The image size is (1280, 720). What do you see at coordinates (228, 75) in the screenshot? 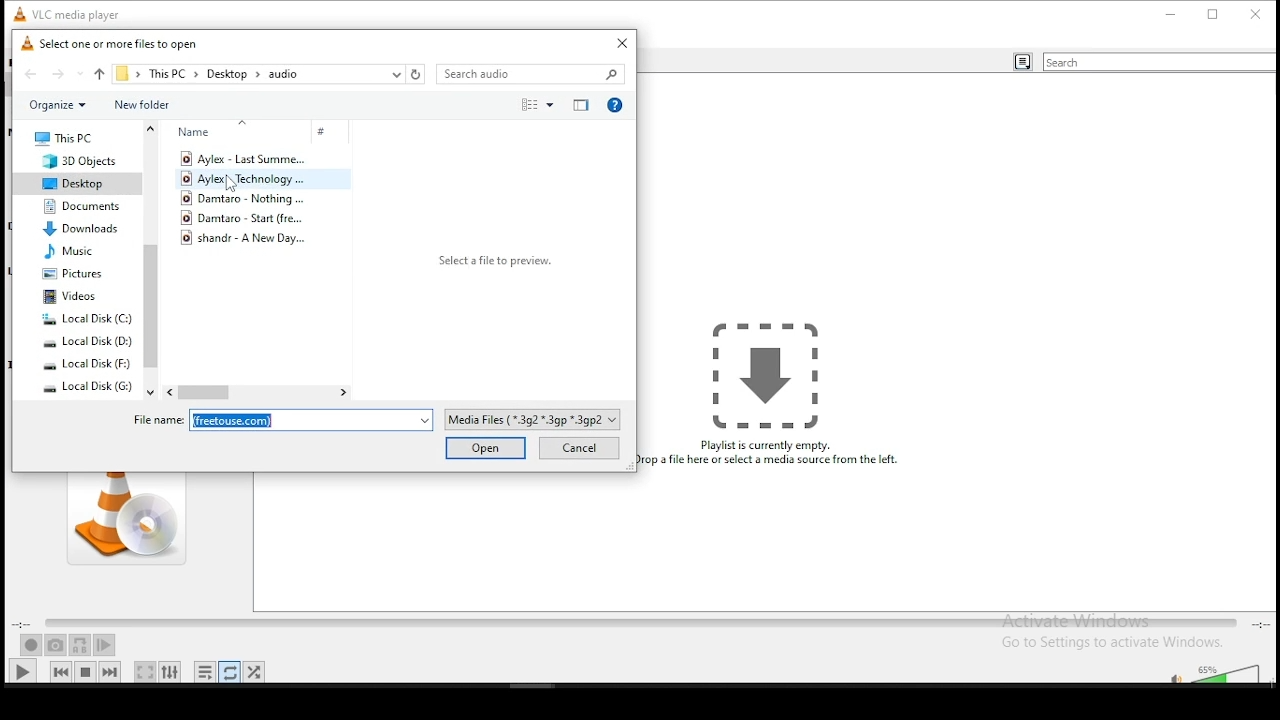
I see `desktop` at bounding box center [228, 75].